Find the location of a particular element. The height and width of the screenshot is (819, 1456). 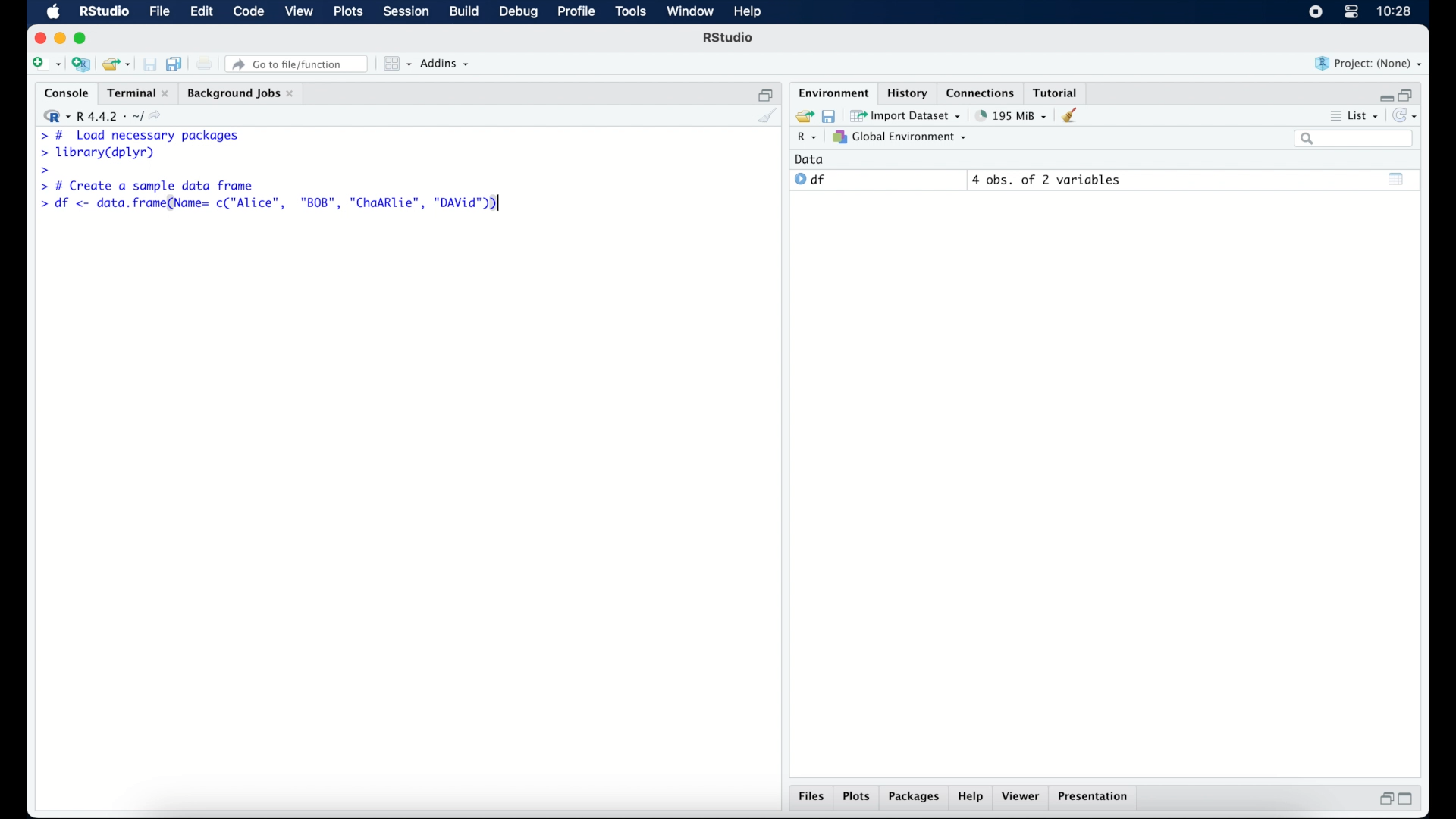

search bar is located at coordinates (1353, 140).